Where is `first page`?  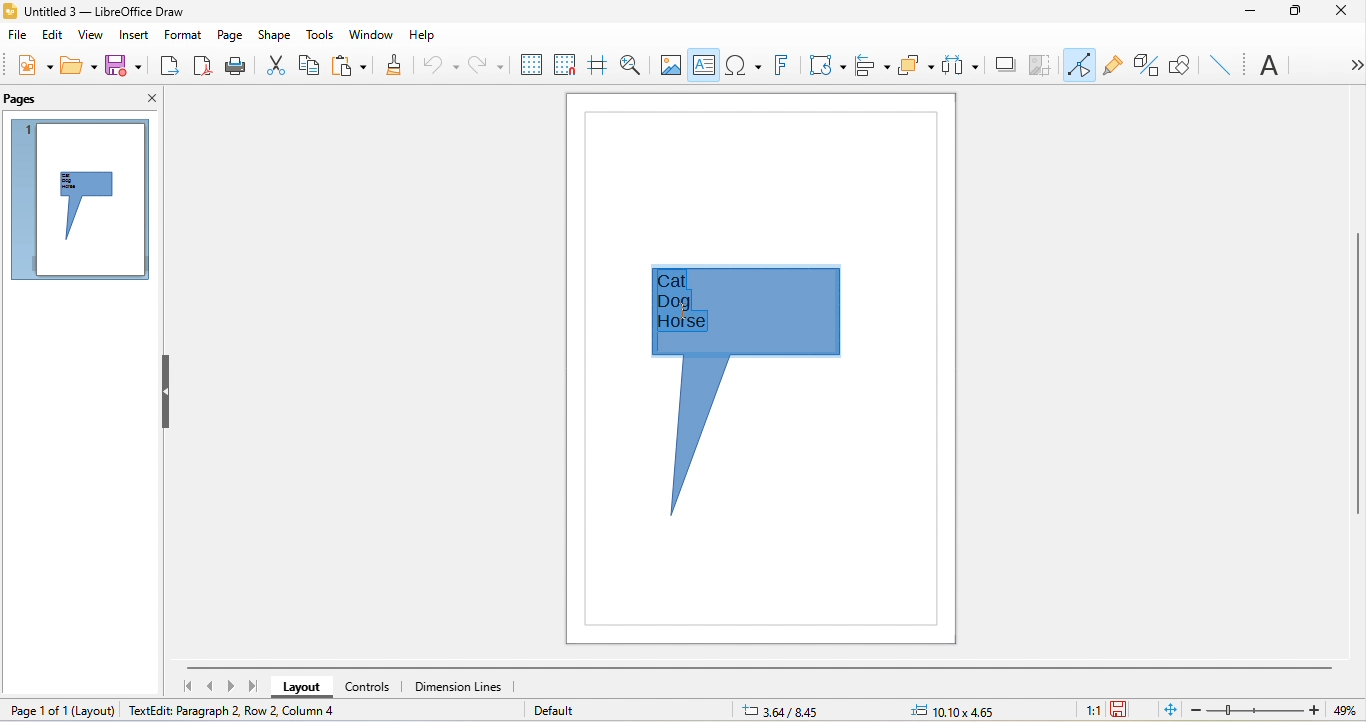
first page is located at coordinates (190, 686).